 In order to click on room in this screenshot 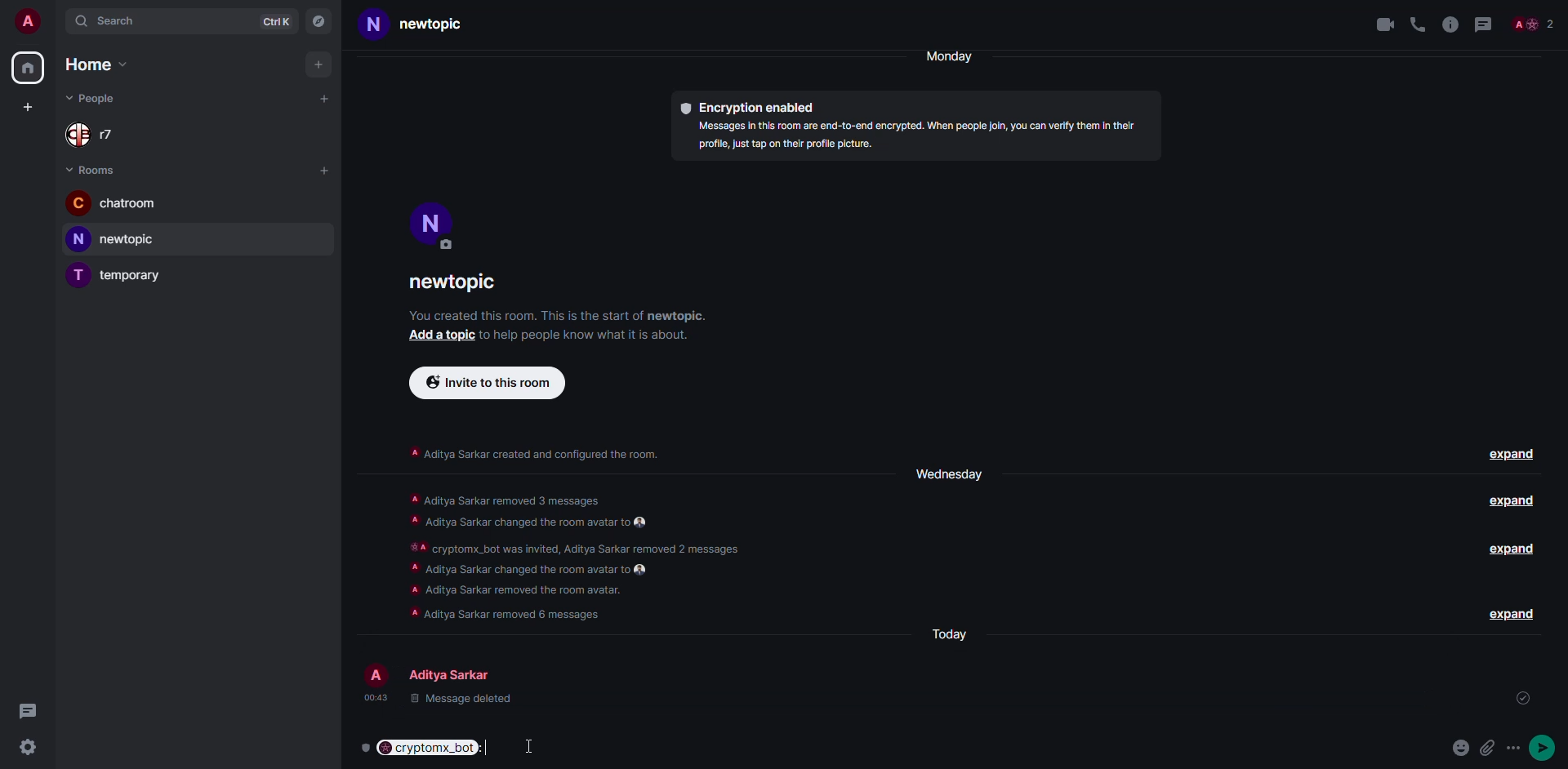, I will do `click(113, 202)`.